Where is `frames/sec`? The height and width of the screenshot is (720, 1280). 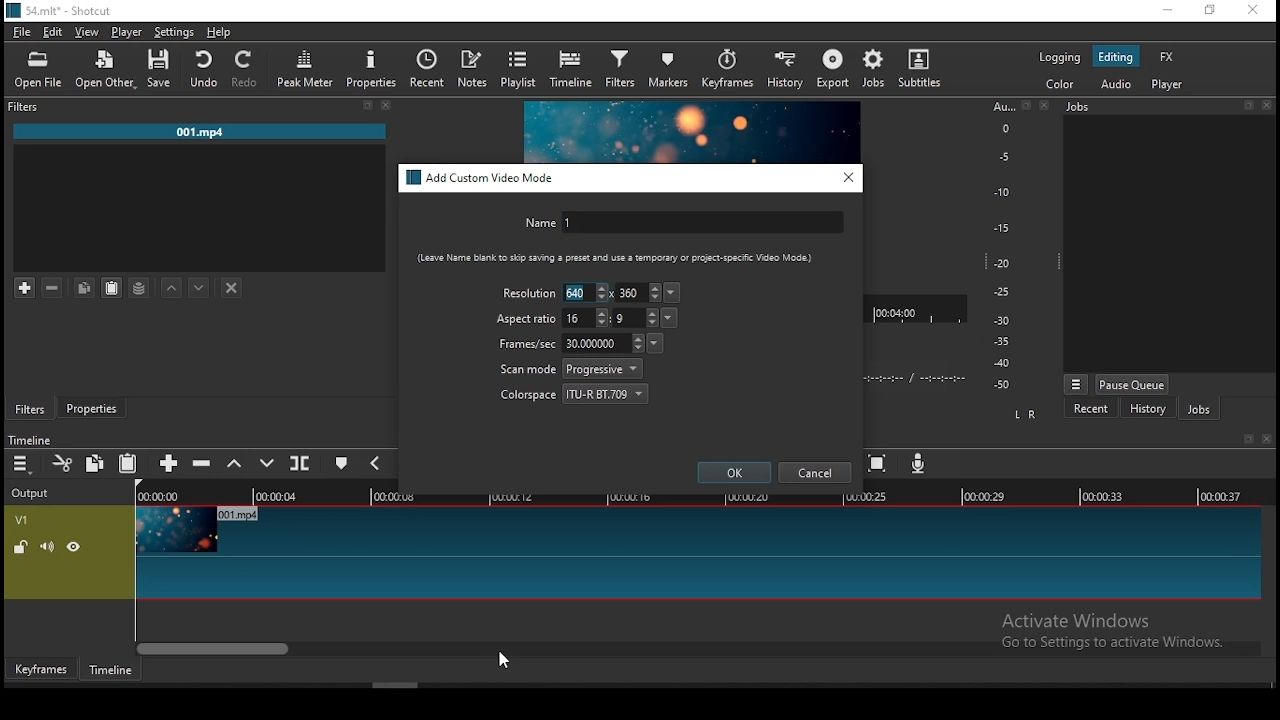
frames/sec is located at coordinates (569, 343).